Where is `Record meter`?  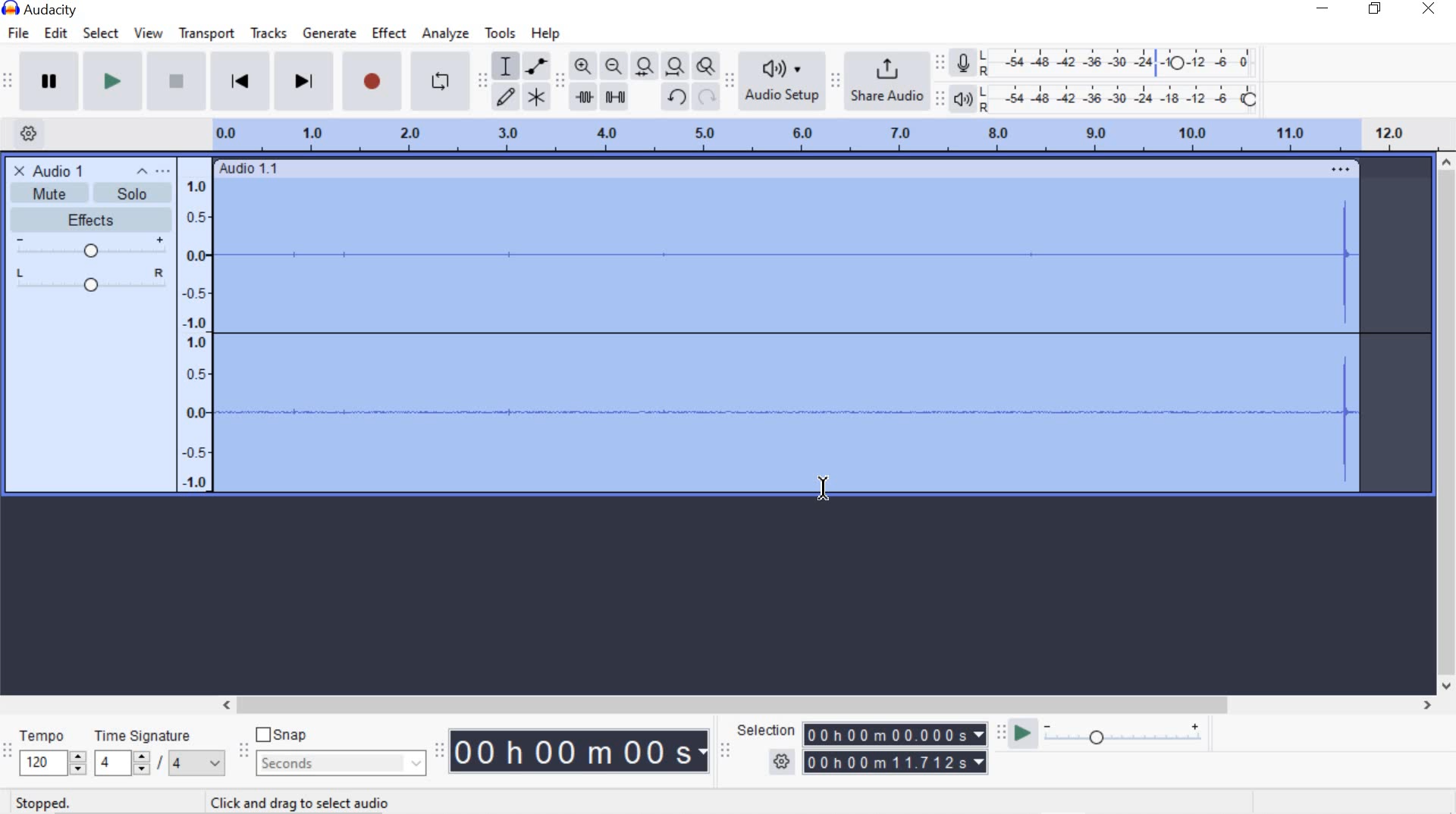
Record meter is located at coordinates (963, 61).